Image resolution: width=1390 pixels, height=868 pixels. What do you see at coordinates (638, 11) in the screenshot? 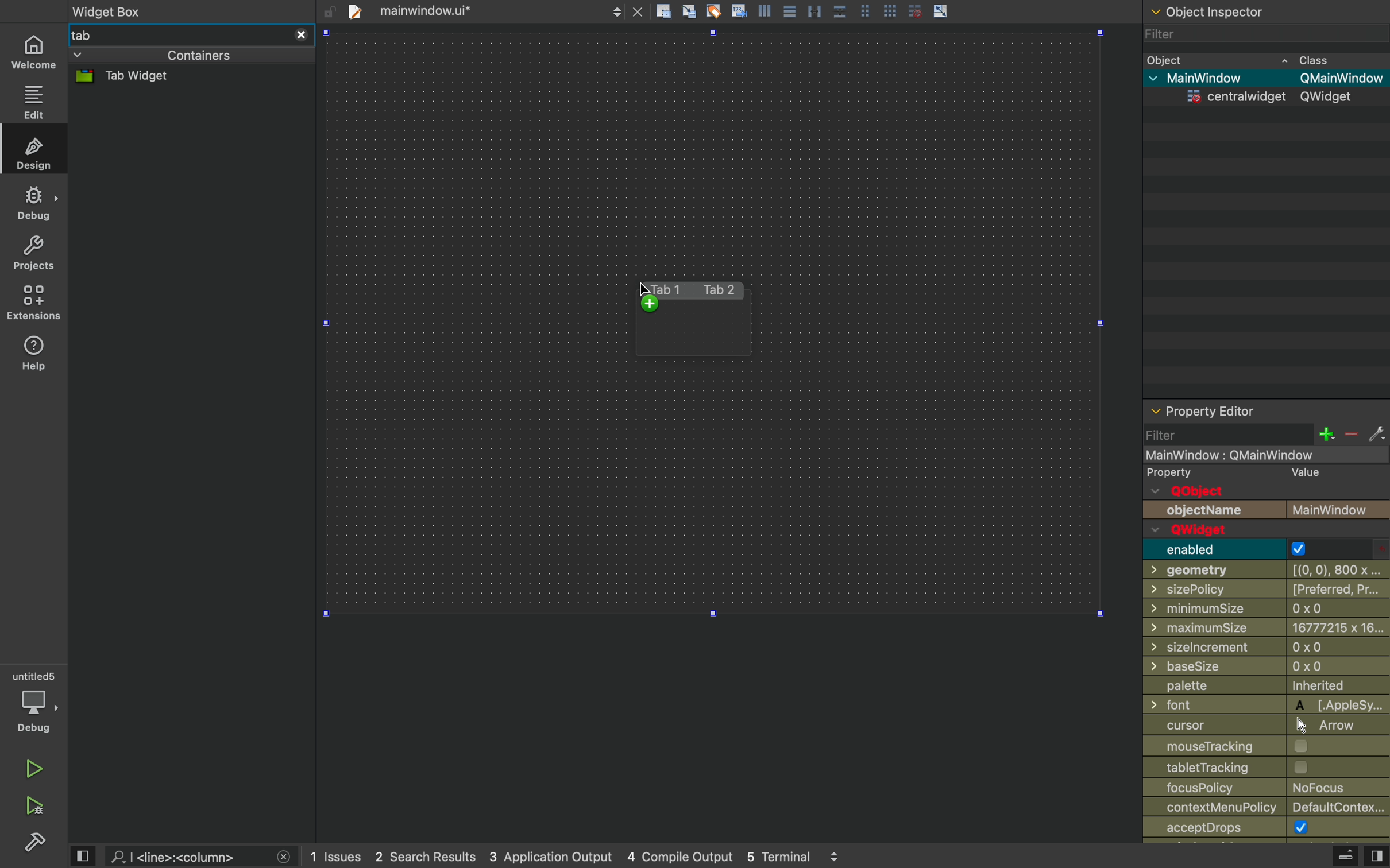
I see `close` at bounding box center [638, 11].